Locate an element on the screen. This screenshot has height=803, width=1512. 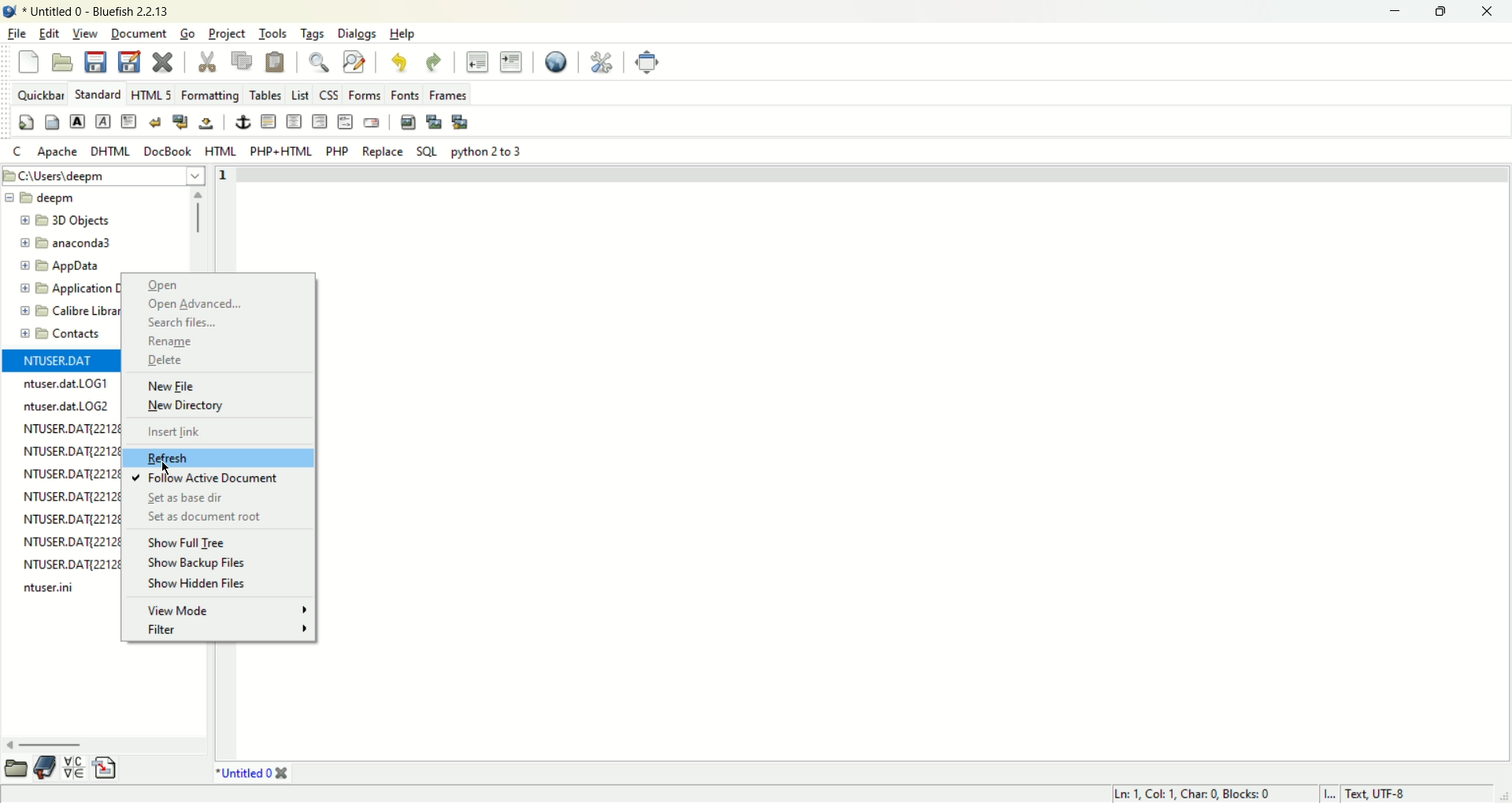
NTUSER.DAT{22128aa0-2361-11ee-¢ is located at coordinates (76, 564).